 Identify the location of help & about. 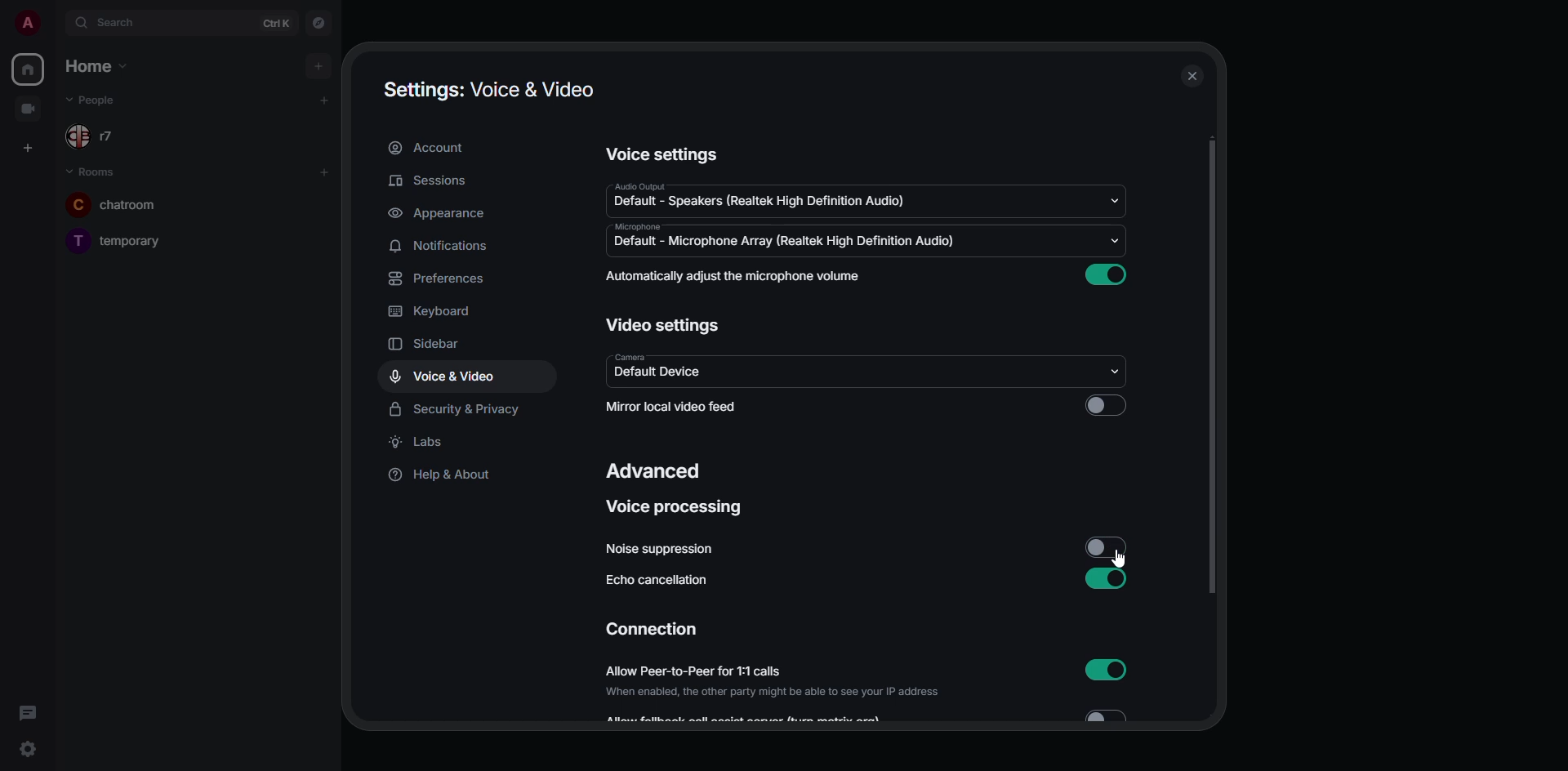
(443, 475).